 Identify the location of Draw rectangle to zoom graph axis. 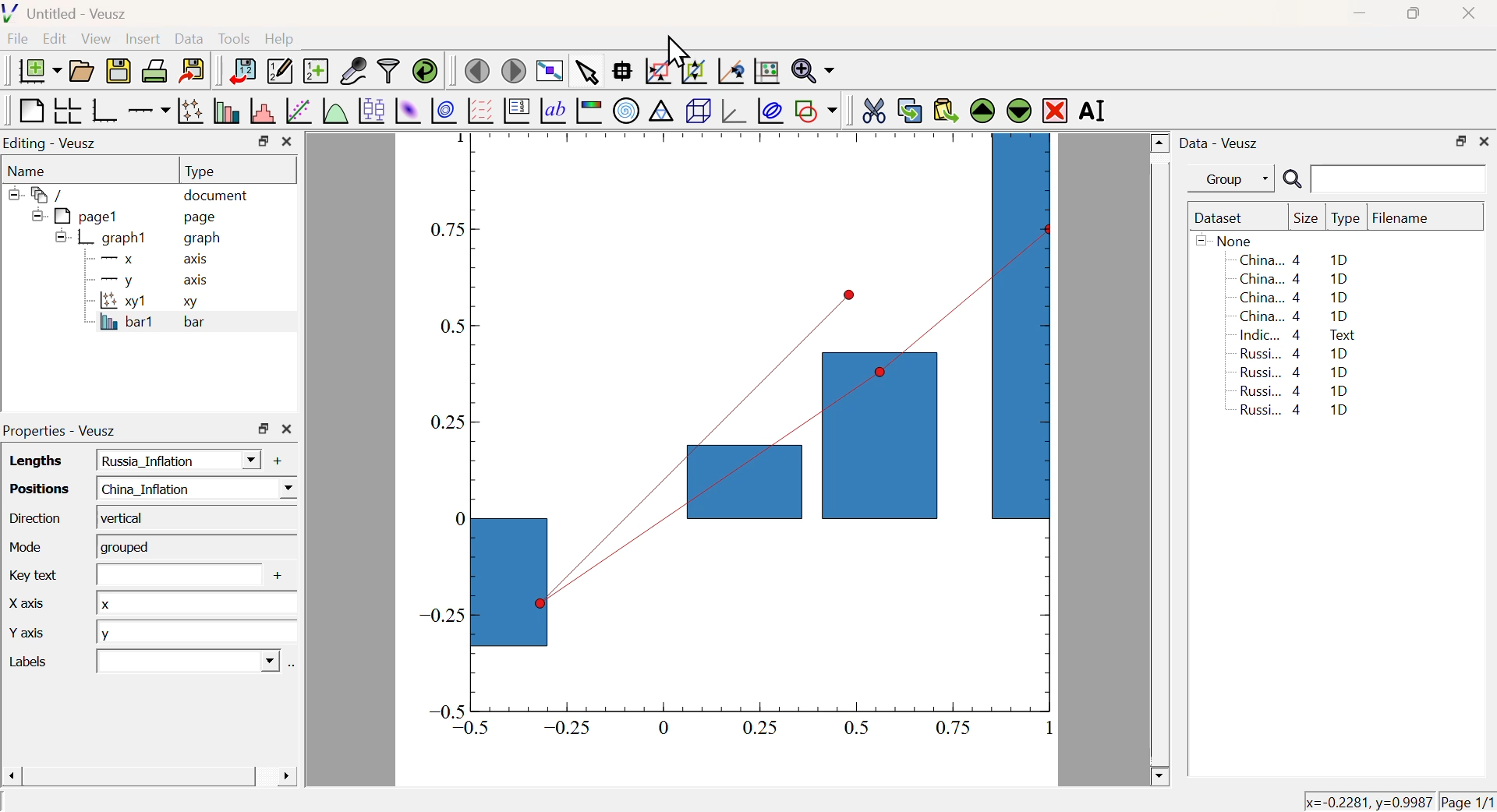
(656, 71).